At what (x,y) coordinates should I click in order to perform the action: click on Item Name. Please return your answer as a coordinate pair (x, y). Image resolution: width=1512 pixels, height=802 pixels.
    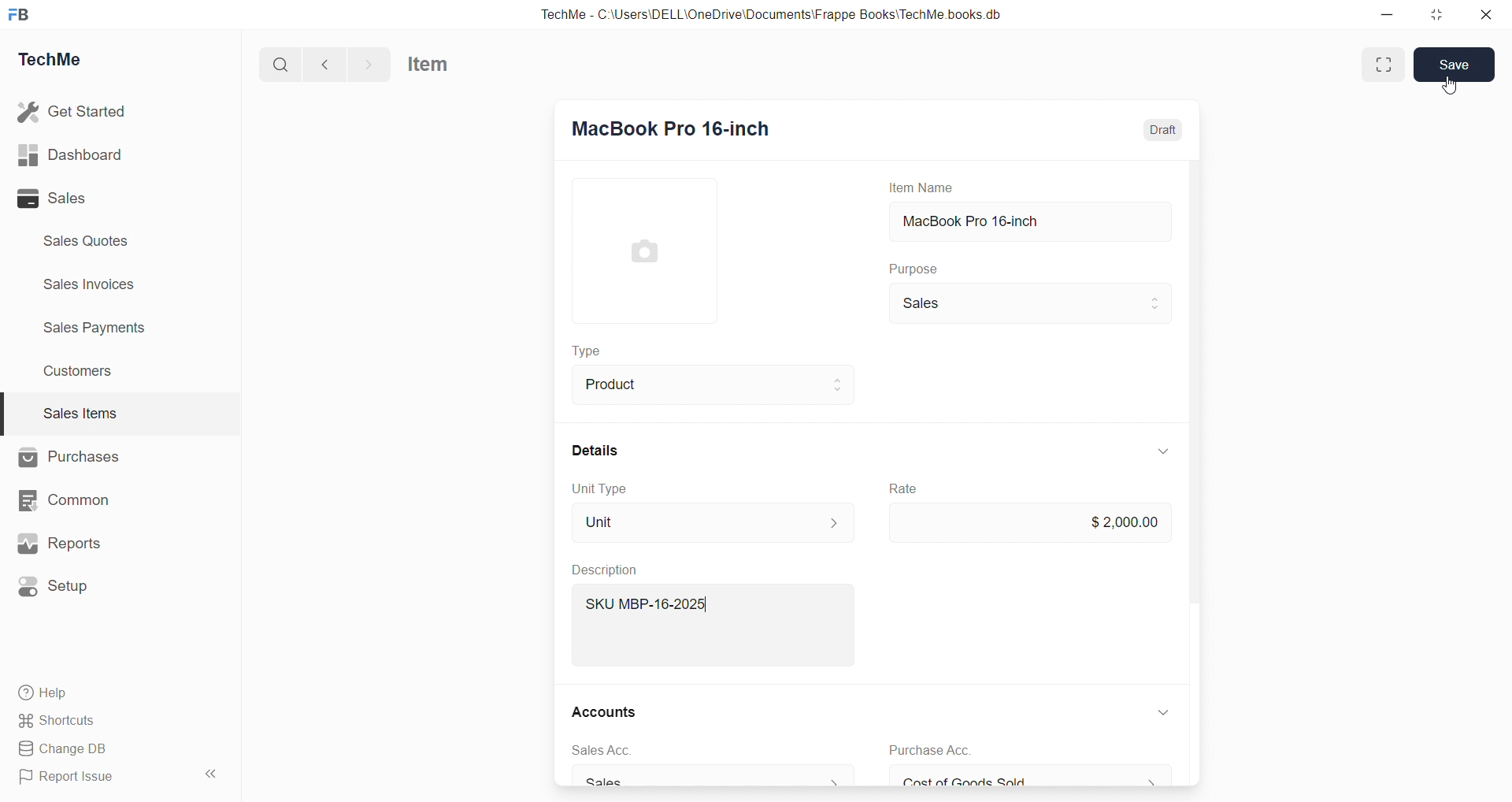
    Looking at the image, I should click on (919, 188).